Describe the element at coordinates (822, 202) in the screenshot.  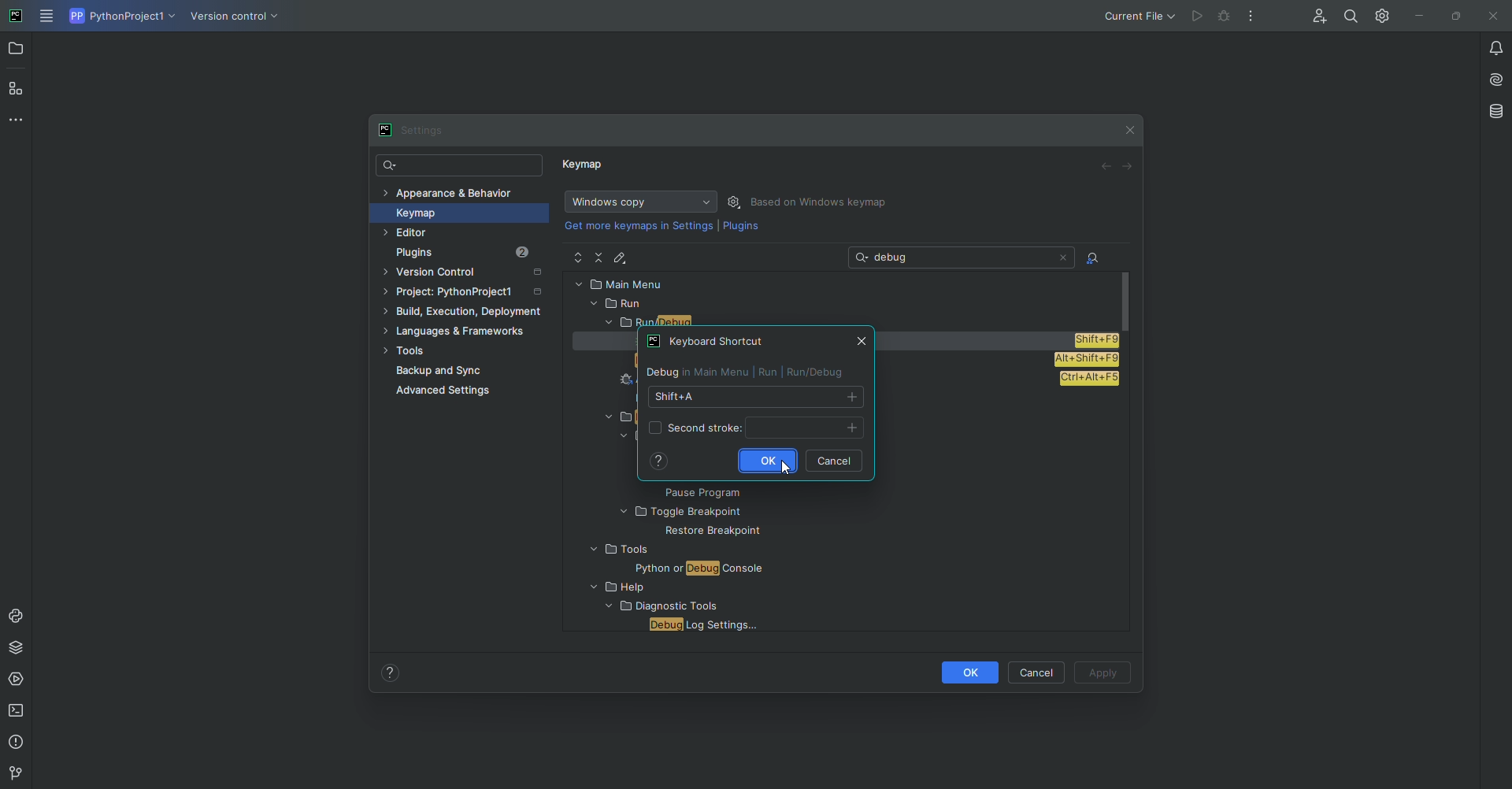
I see `Based on Windows Keymap` at that location.